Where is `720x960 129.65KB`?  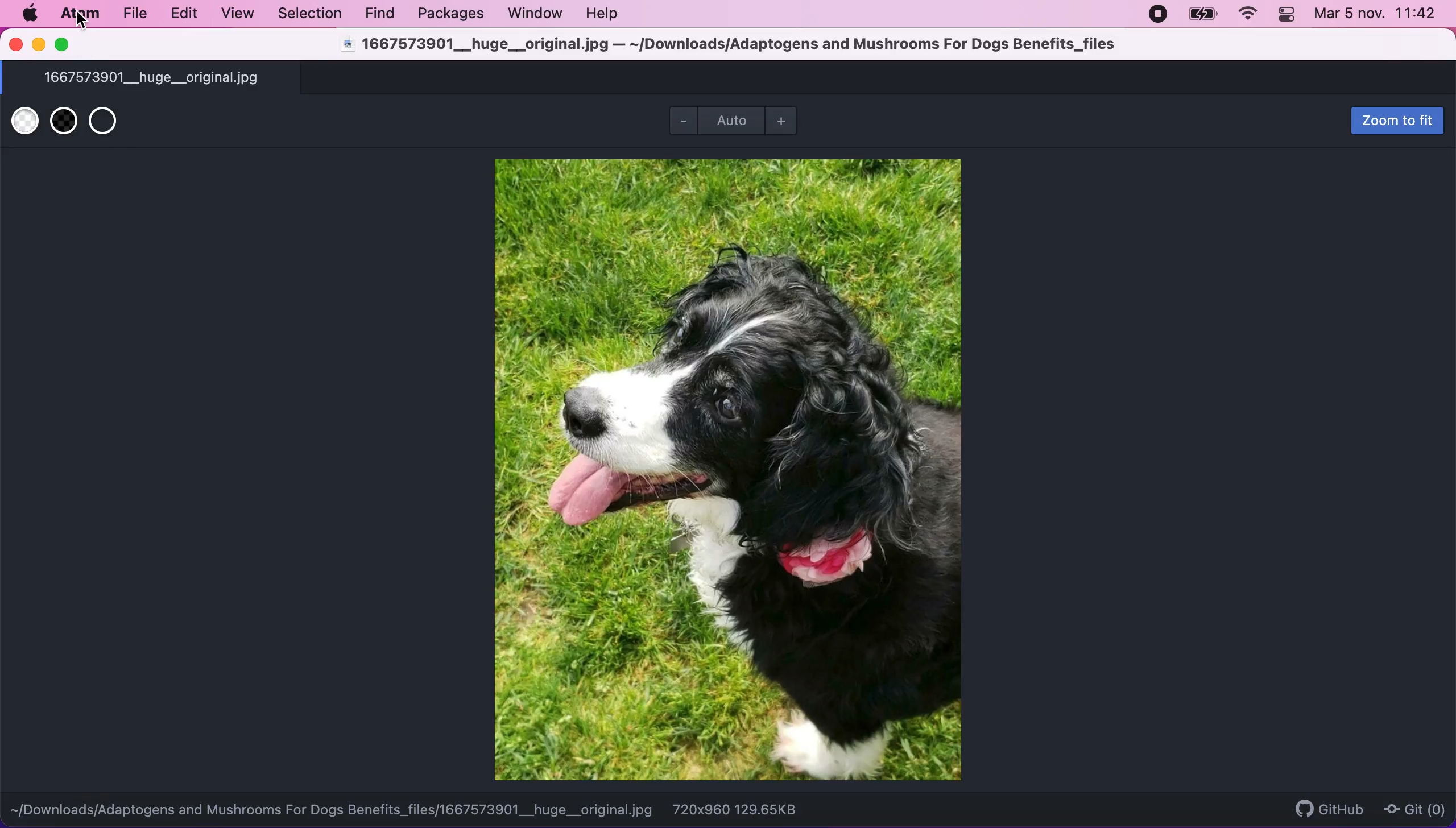
720x960 129.65KB is located at coordinates (738, 809).